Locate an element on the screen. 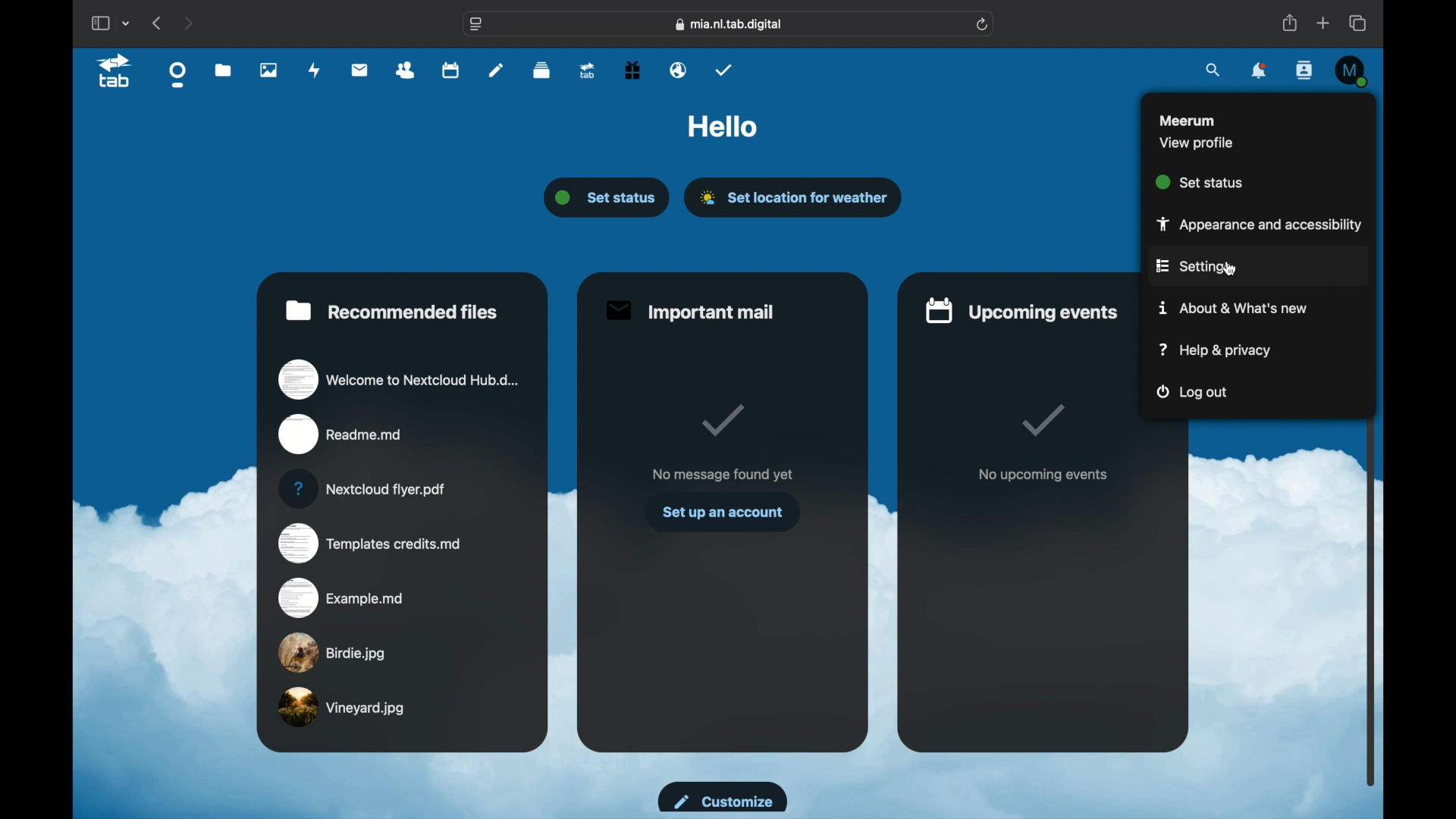 The height and width of the screenshot is (819, 1456). profile is located at coordinates (1350, 68).